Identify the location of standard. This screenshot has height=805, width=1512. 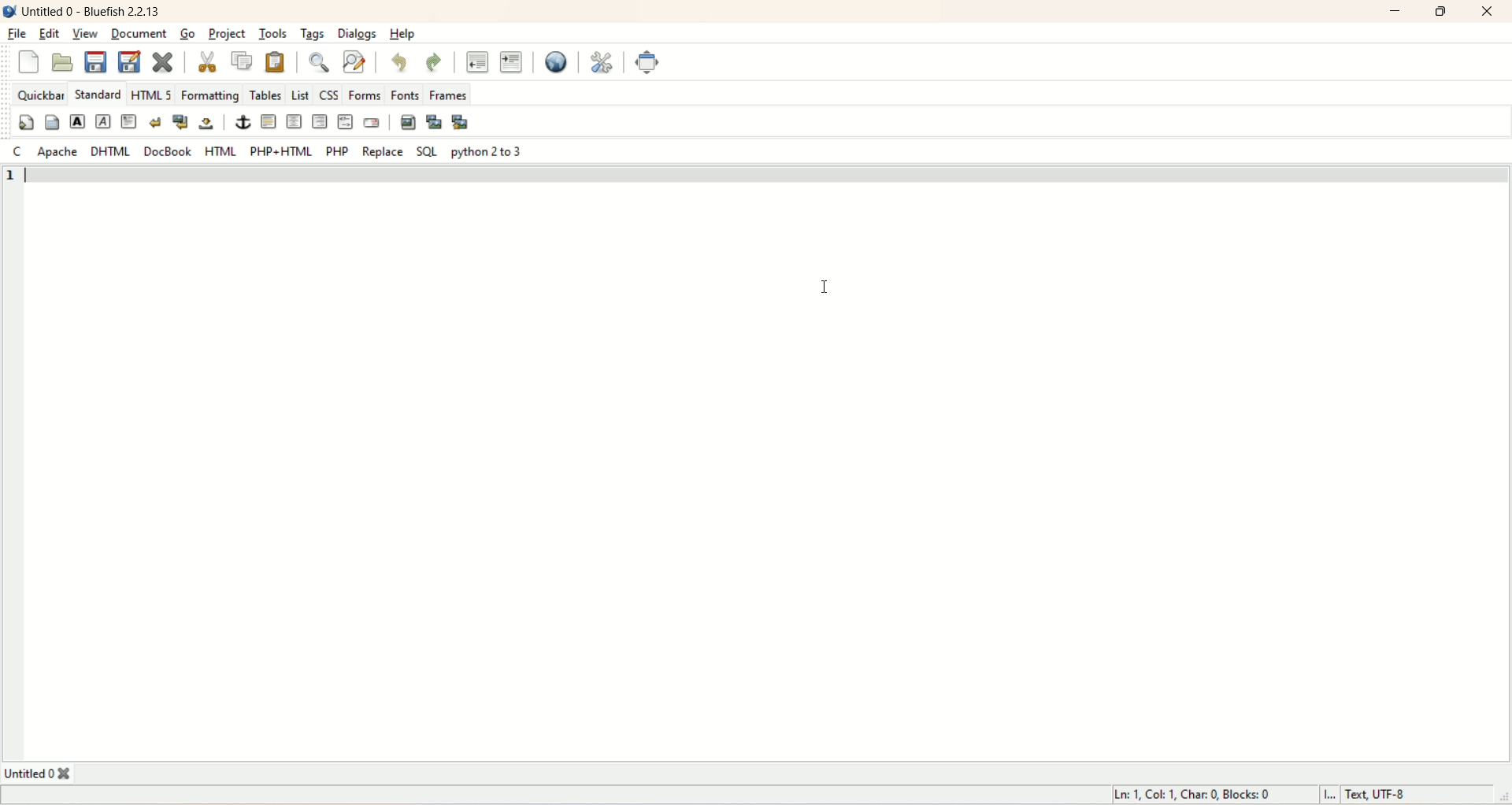
(98, 94).